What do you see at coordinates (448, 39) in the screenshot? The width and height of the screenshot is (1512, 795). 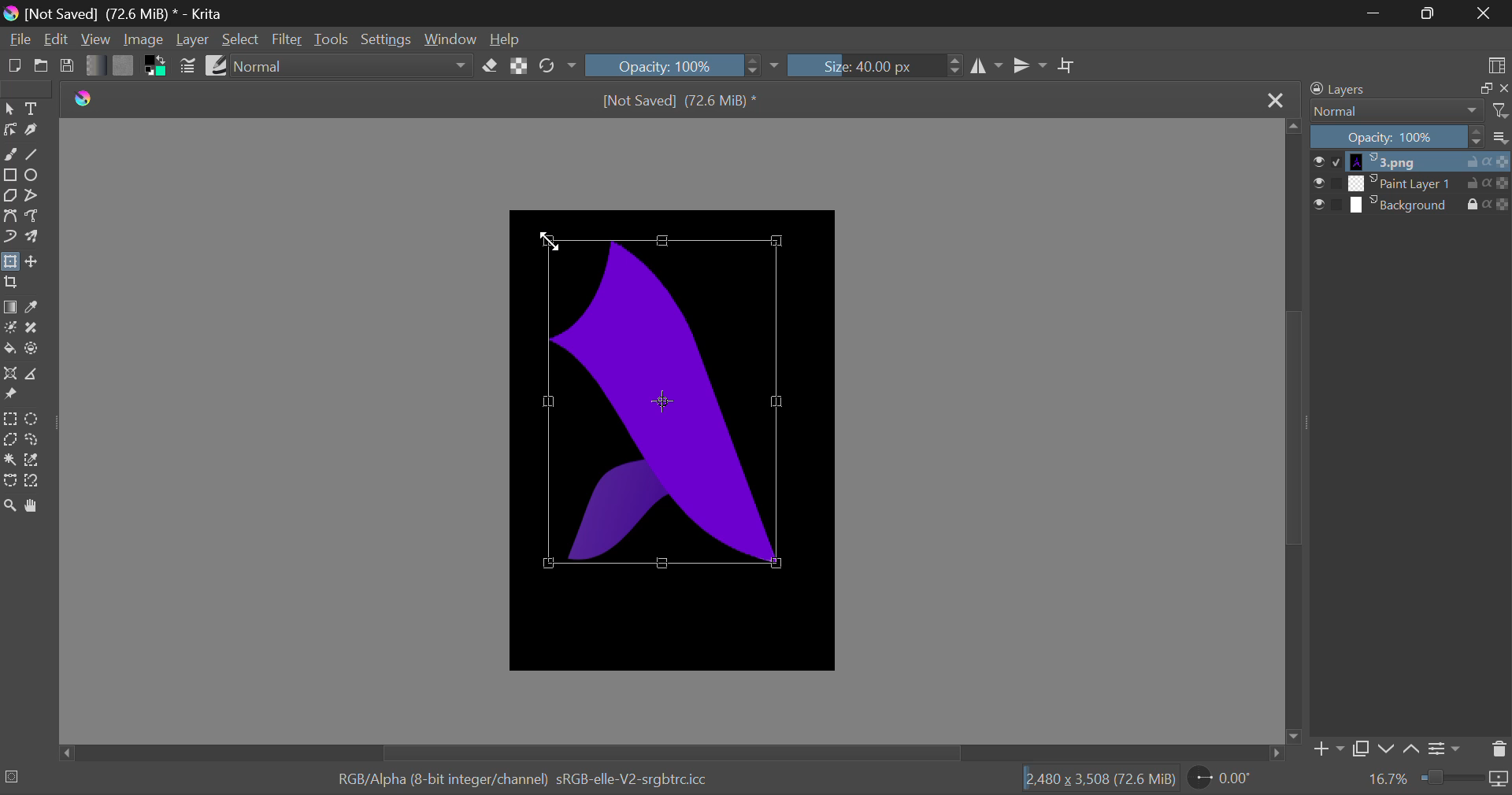 I see `Window` at bounding box center [448, 39].